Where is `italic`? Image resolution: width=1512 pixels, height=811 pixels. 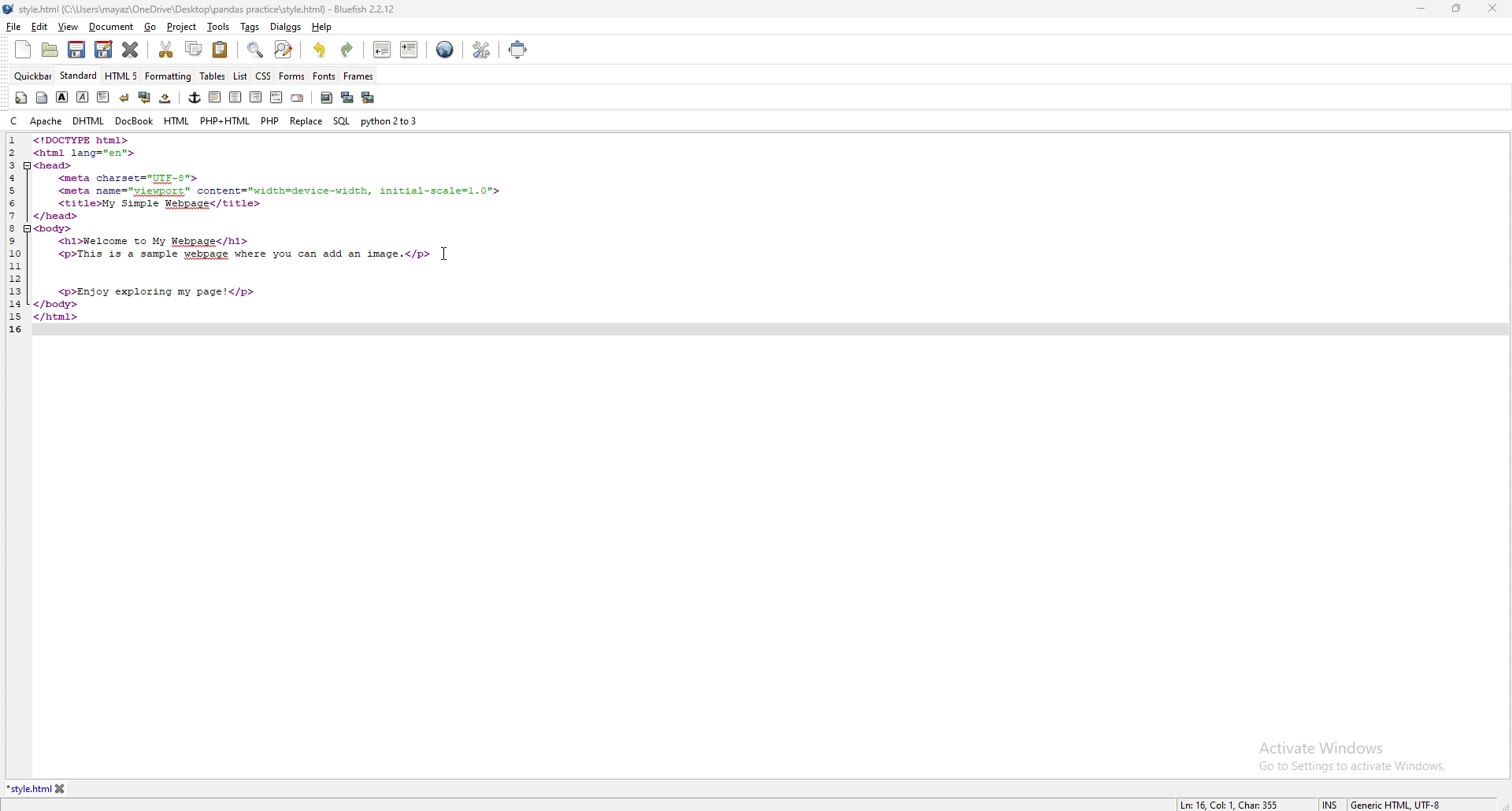
italic is located at coordinates (81, 98).